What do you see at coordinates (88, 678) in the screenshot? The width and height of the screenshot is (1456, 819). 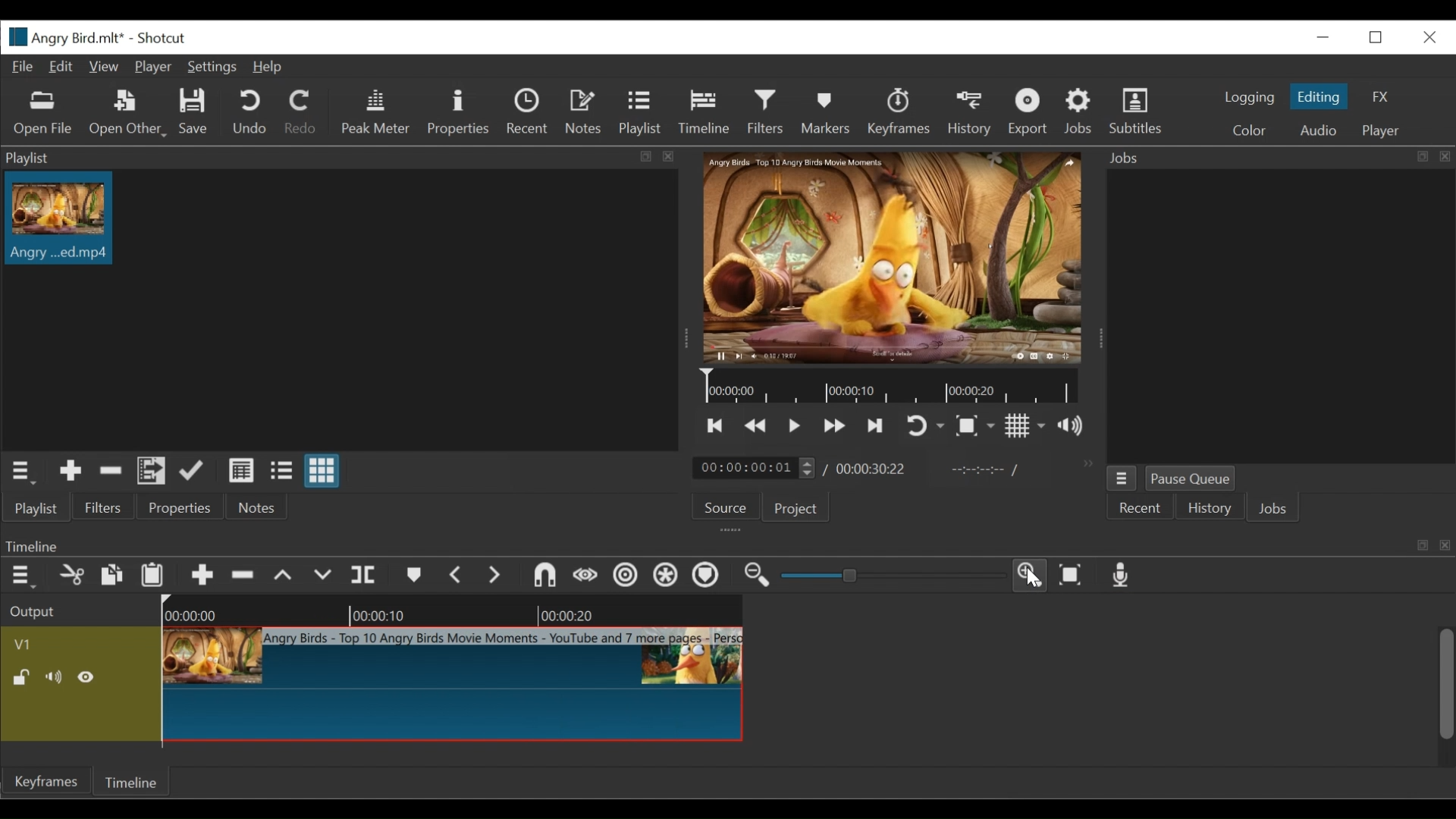 I see `Hide` at bounding box center [88, 678].